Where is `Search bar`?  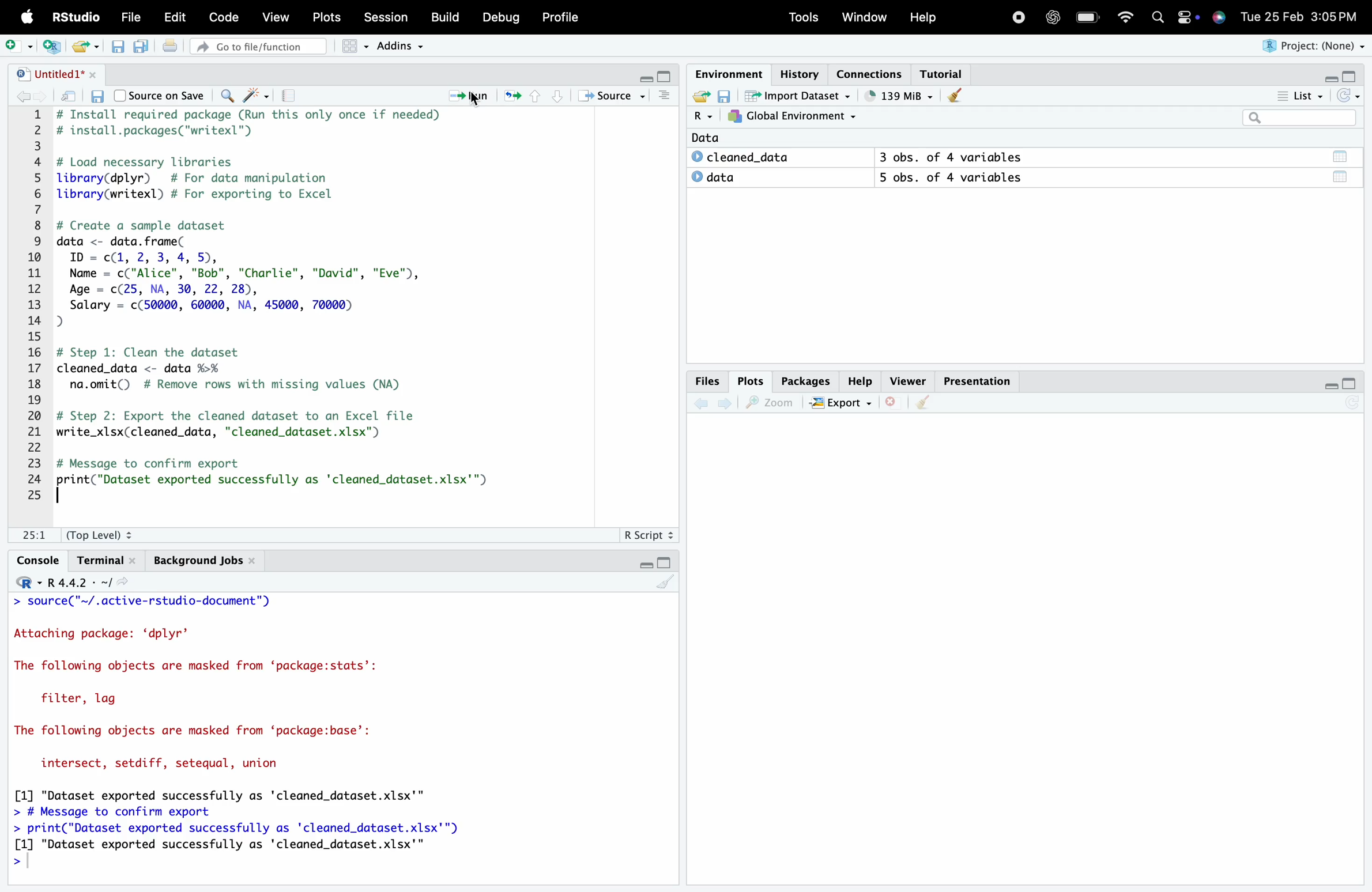 Search bar is located at coordinates (1307, 119).